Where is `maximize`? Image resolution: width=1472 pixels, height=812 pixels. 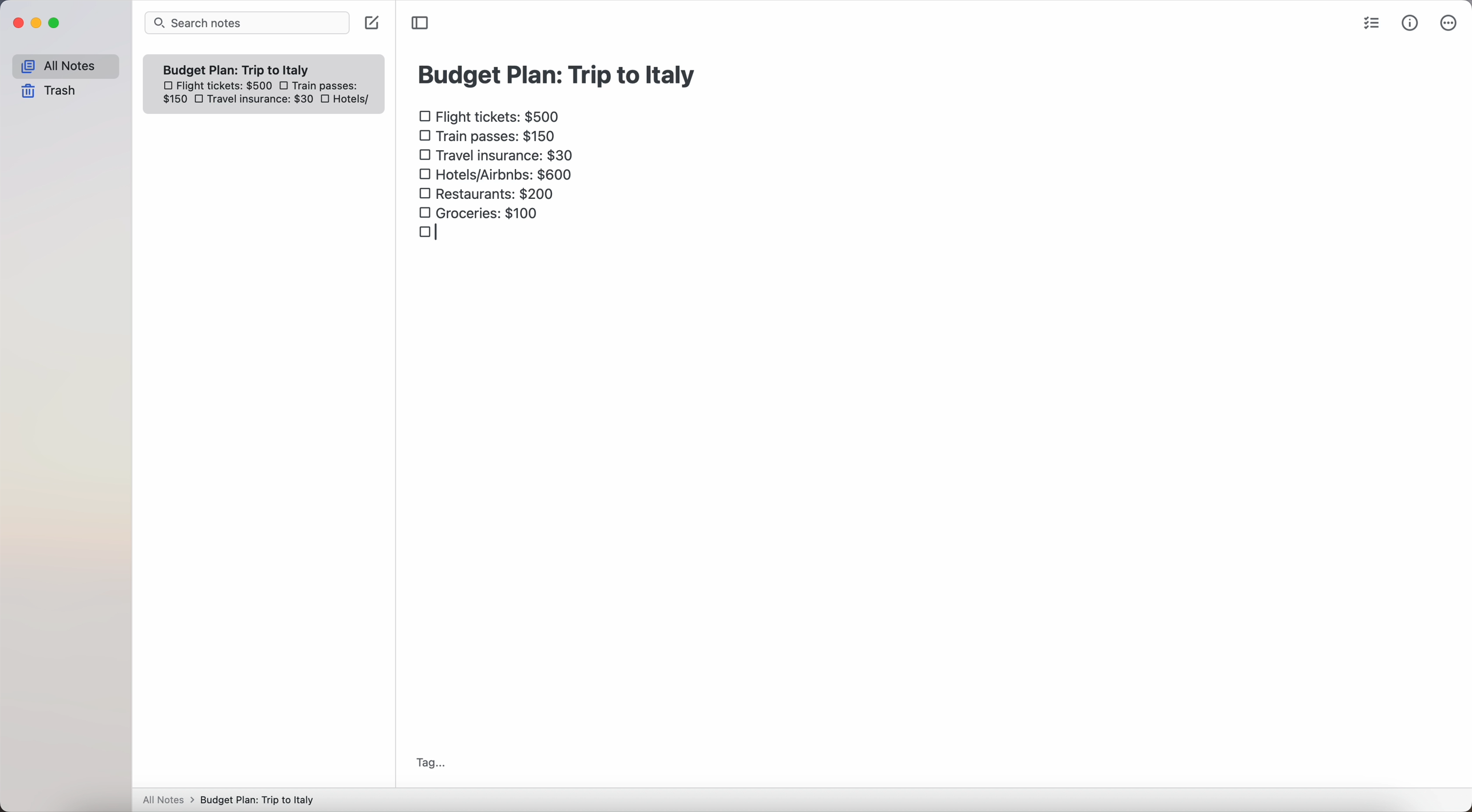
maximize is located at coordinates (57, 23).